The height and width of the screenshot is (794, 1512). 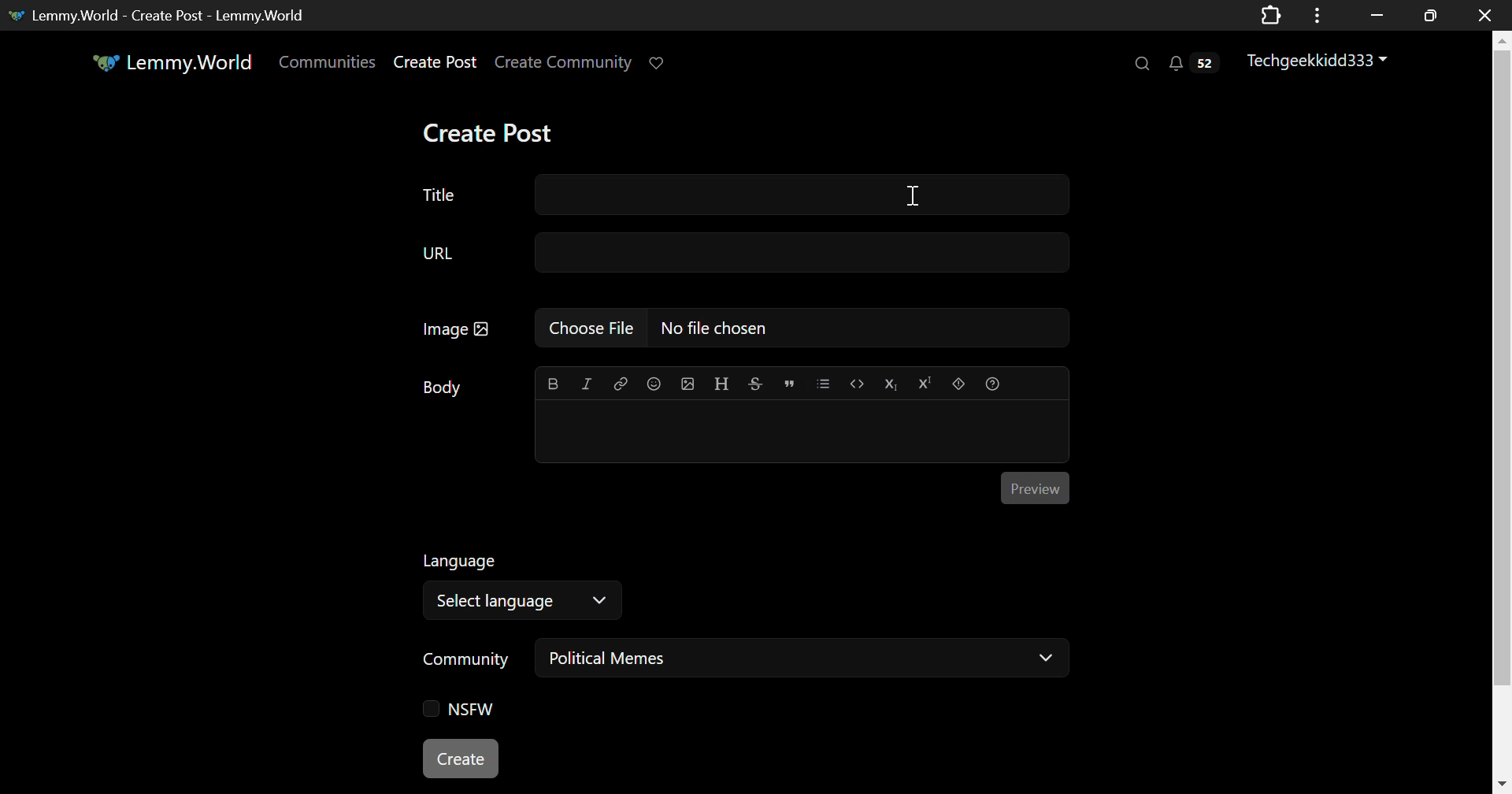 I want to click on Insert Emoji, so click(x=654, y=382).